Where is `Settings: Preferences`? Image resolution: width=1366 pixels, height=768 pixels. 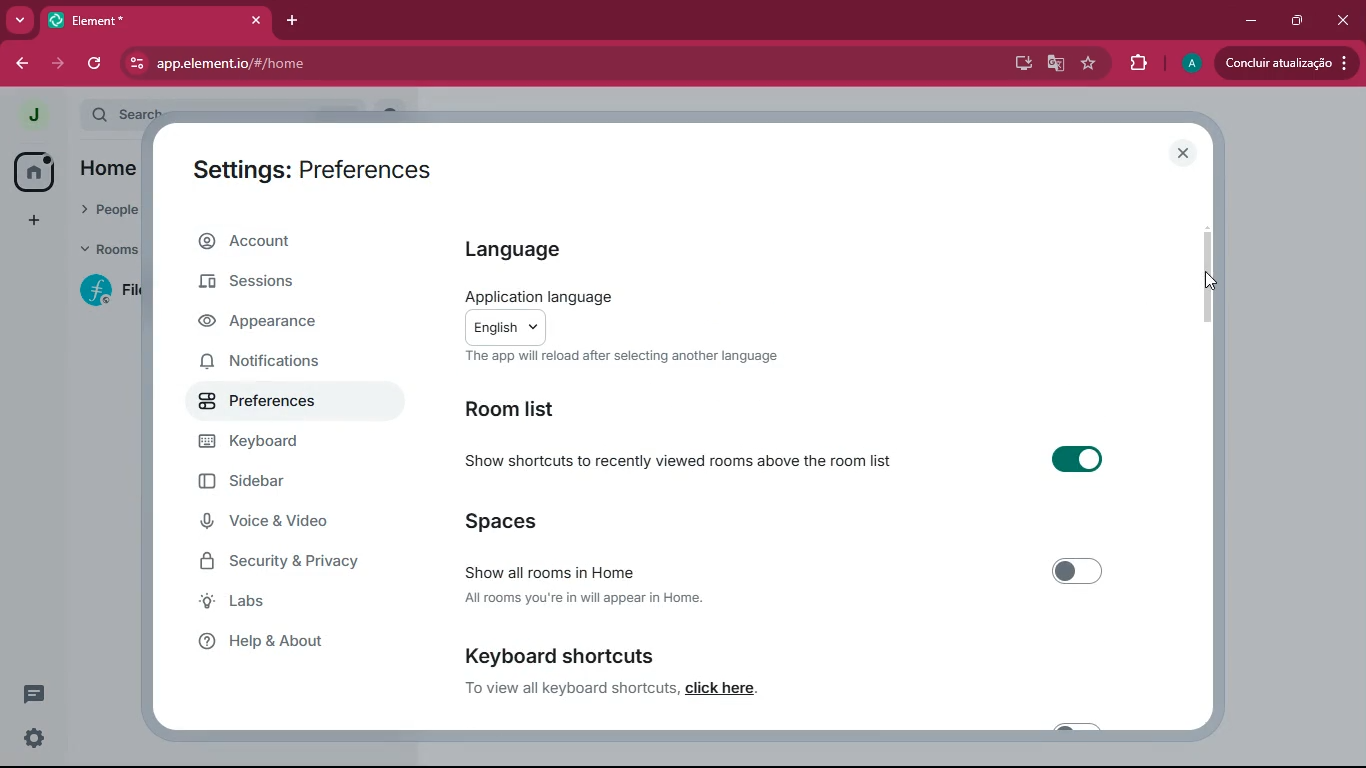
Settings: Preferences is located at coordinates (308, 170).